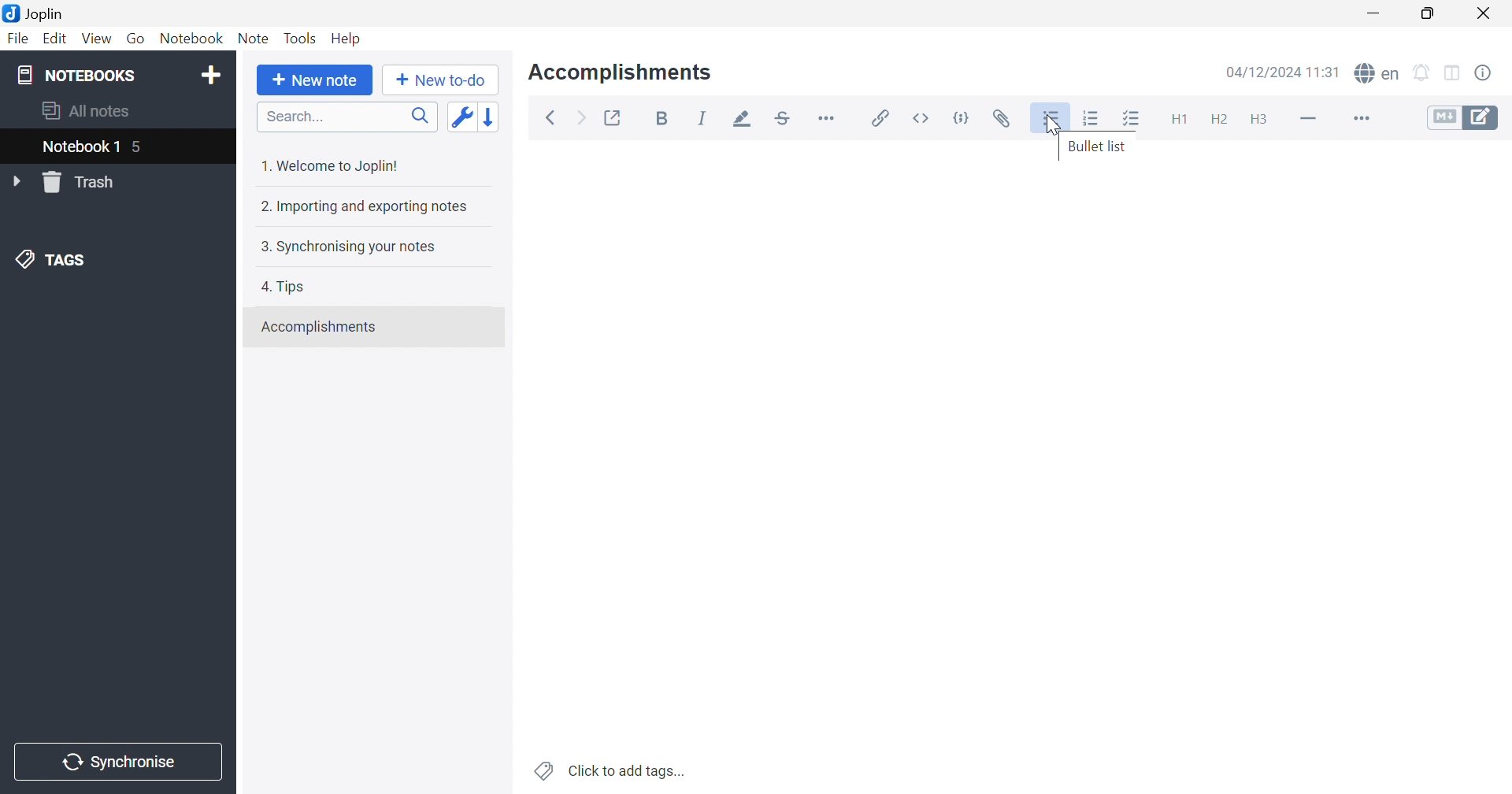  What do you see at coordinates (1180, 120) in the screenshot?
I see `Heading 1` at bounding box center [1180, 120].